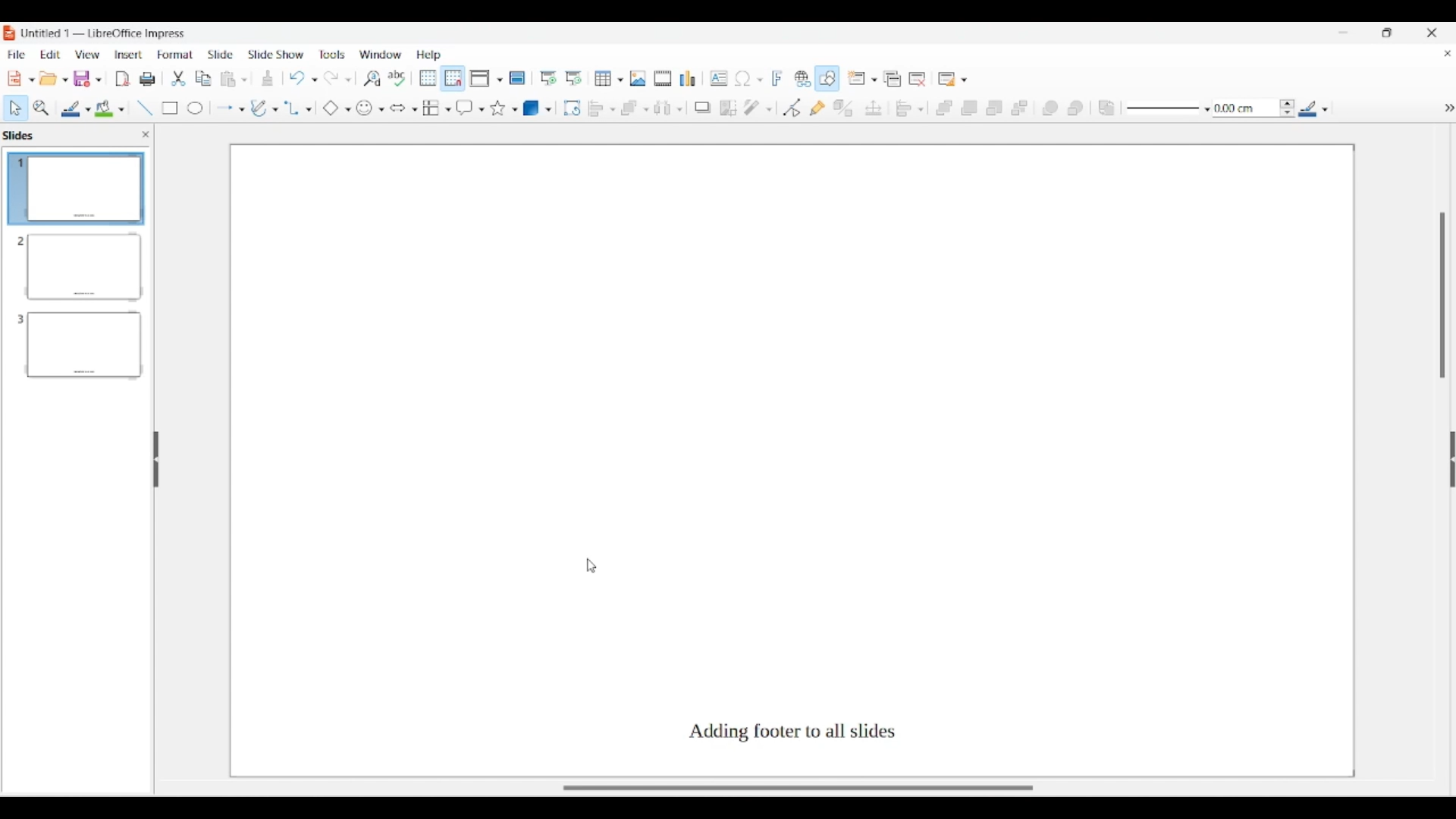  What do you see at coordinates (844, 108) in the screenshot?
I see `Toggle extrusion` at bounding box center [844, 108].